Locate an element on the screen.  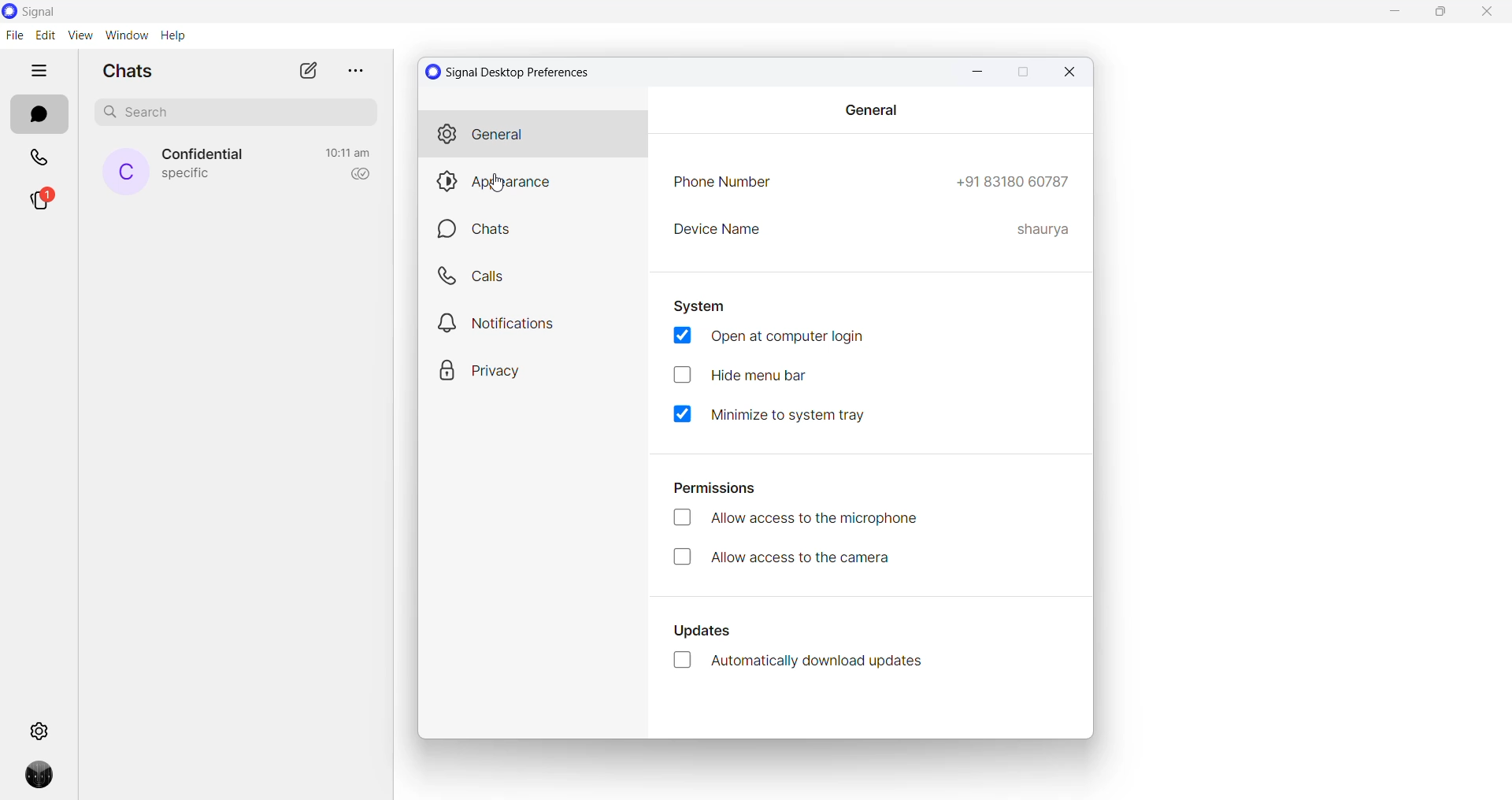
camera access checkbox is located at coordinates (802, 559).